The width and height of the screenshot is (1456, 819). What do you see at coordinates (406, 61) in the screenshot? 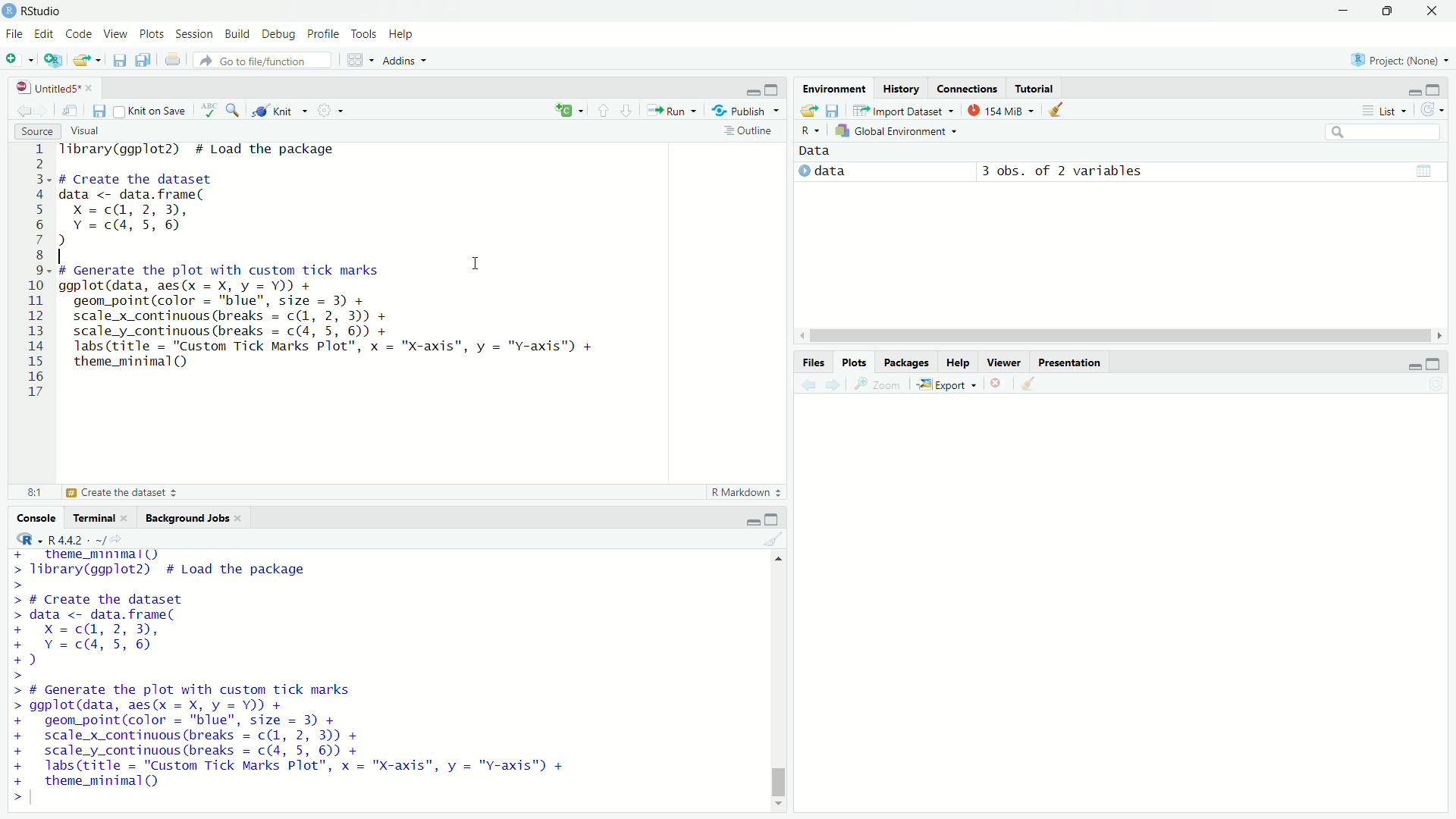
I see `addins` at bounding box center [406, 61].